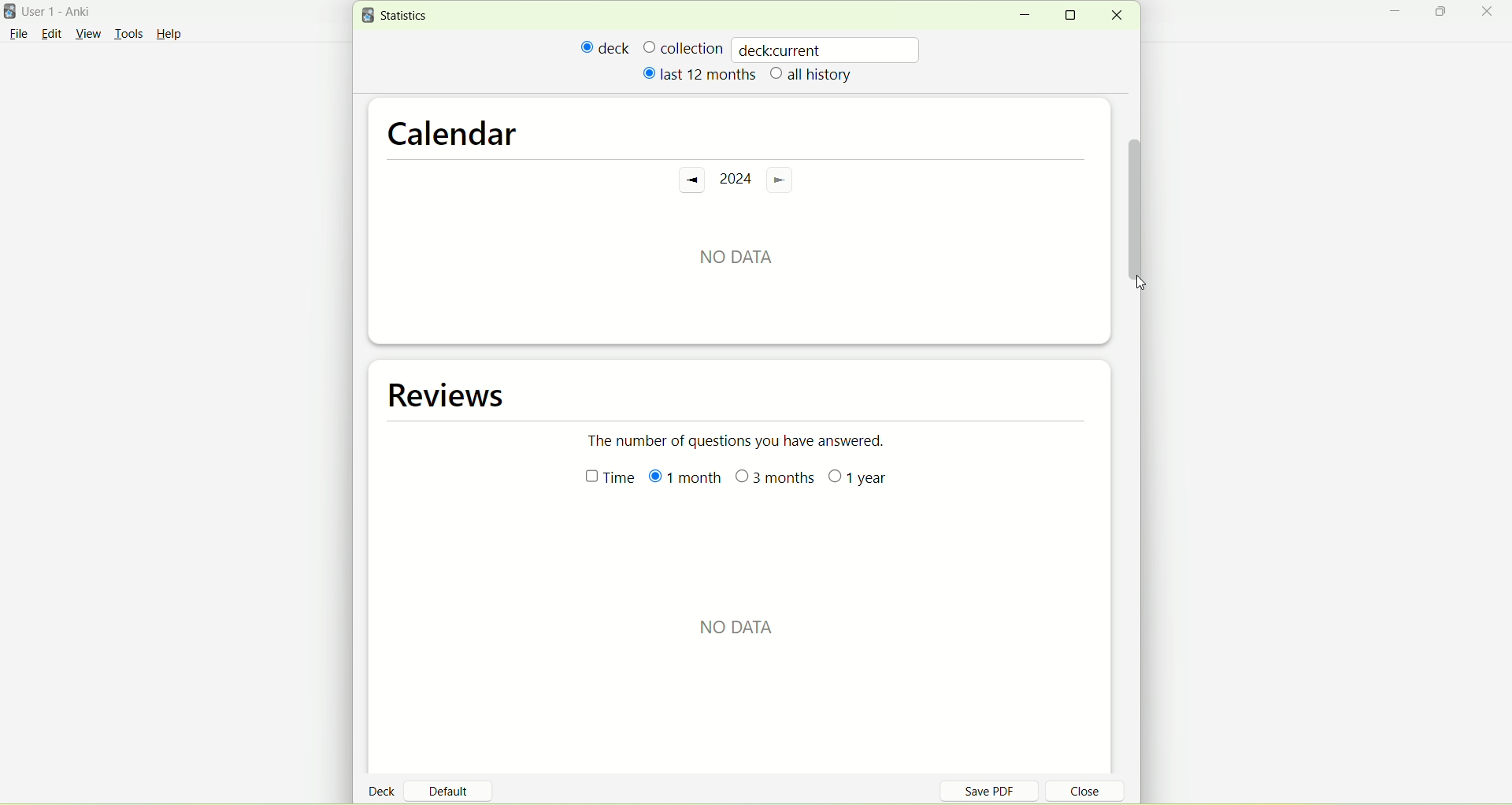 The height and width of the screenshot is (805, 1512). I want to click on save PDF, so click(999, 790).